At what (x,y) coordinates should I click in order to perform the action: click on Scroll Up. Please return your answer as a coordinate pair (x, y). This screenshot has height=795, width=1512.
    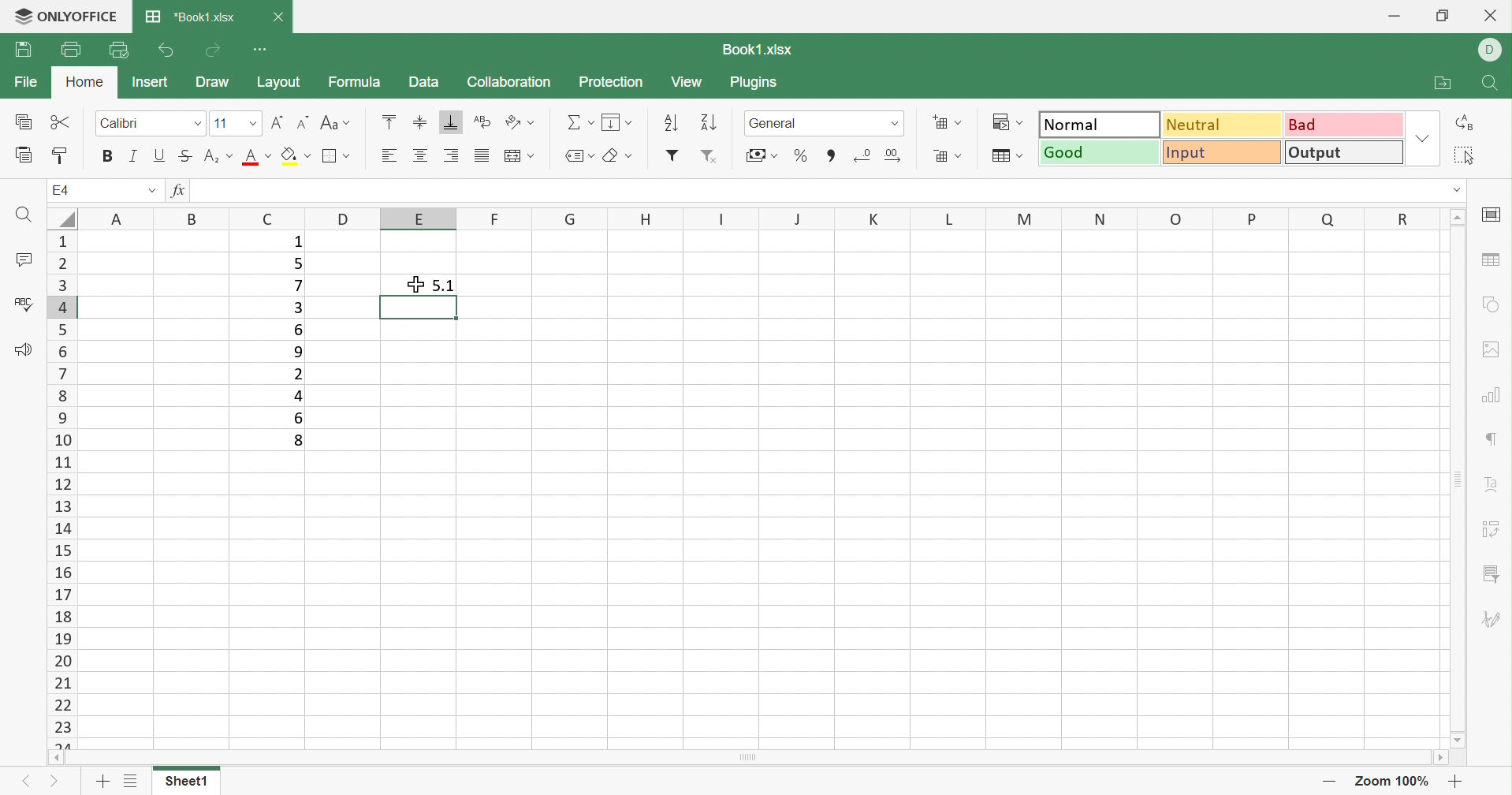
    Looking at the image, I should click on (1456, 216).